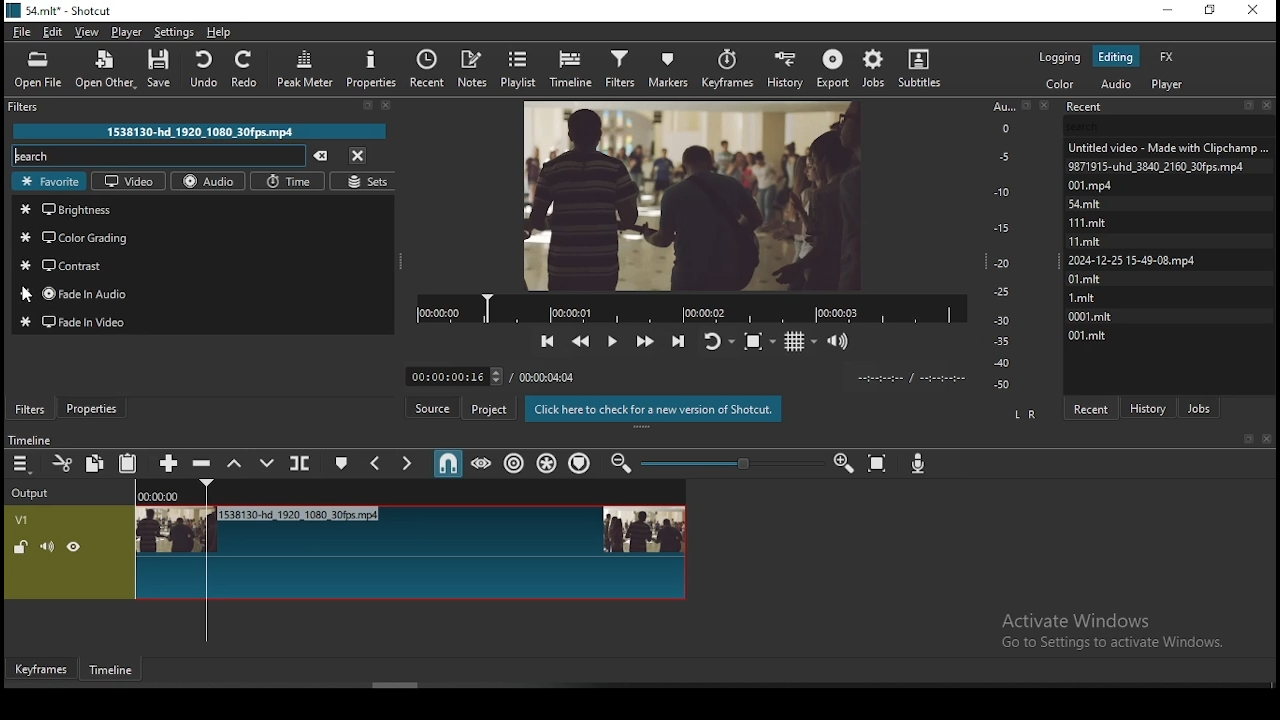 The width and height of the screenshot is (1280, 720). I want to click on playlist, so click(521, 67).